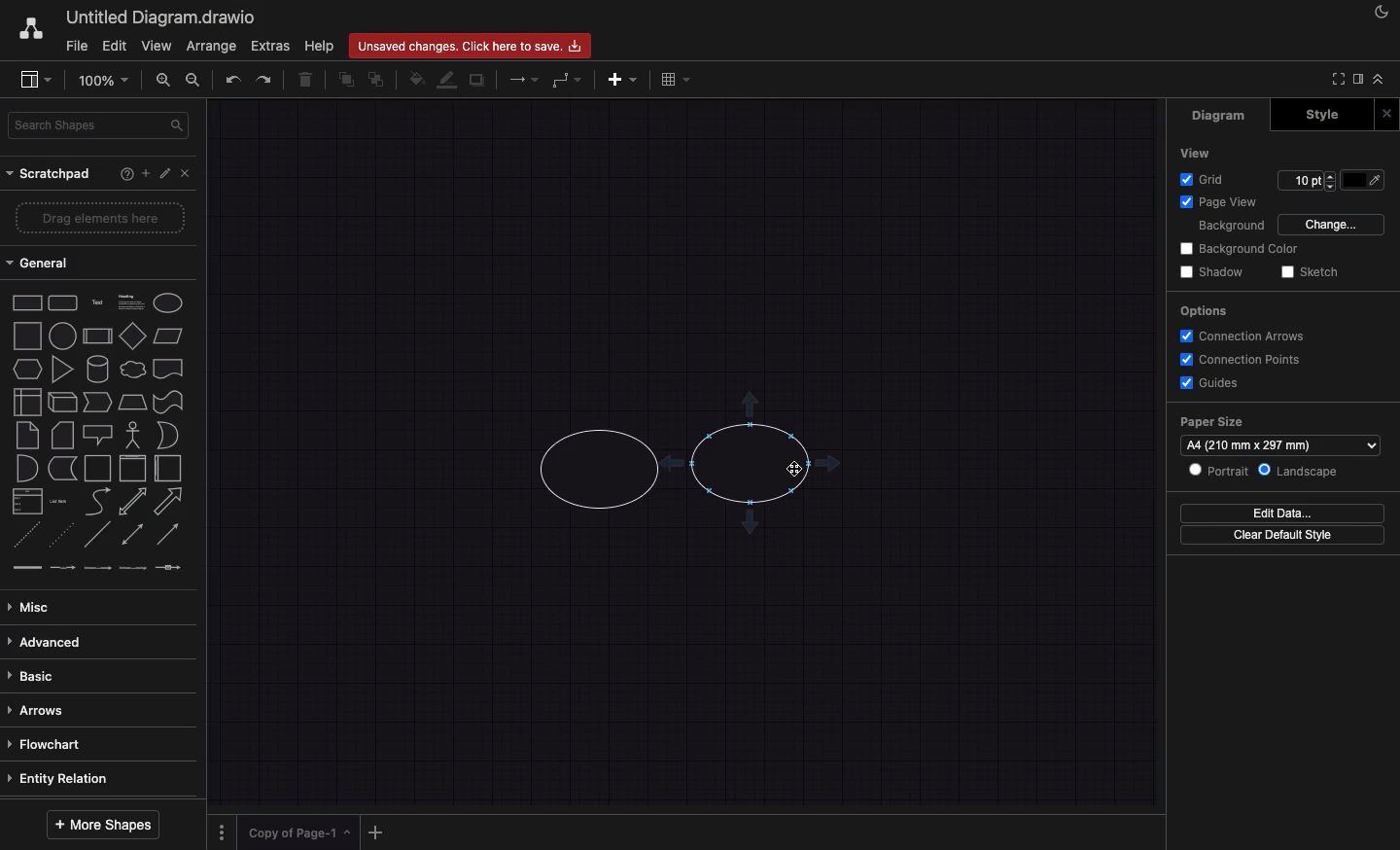 Image resolution: width=1400 pixels, height=850 pixels. Describe the element at coordinates (1364, 181) in the screenshot. I see `light-dark` at that location.